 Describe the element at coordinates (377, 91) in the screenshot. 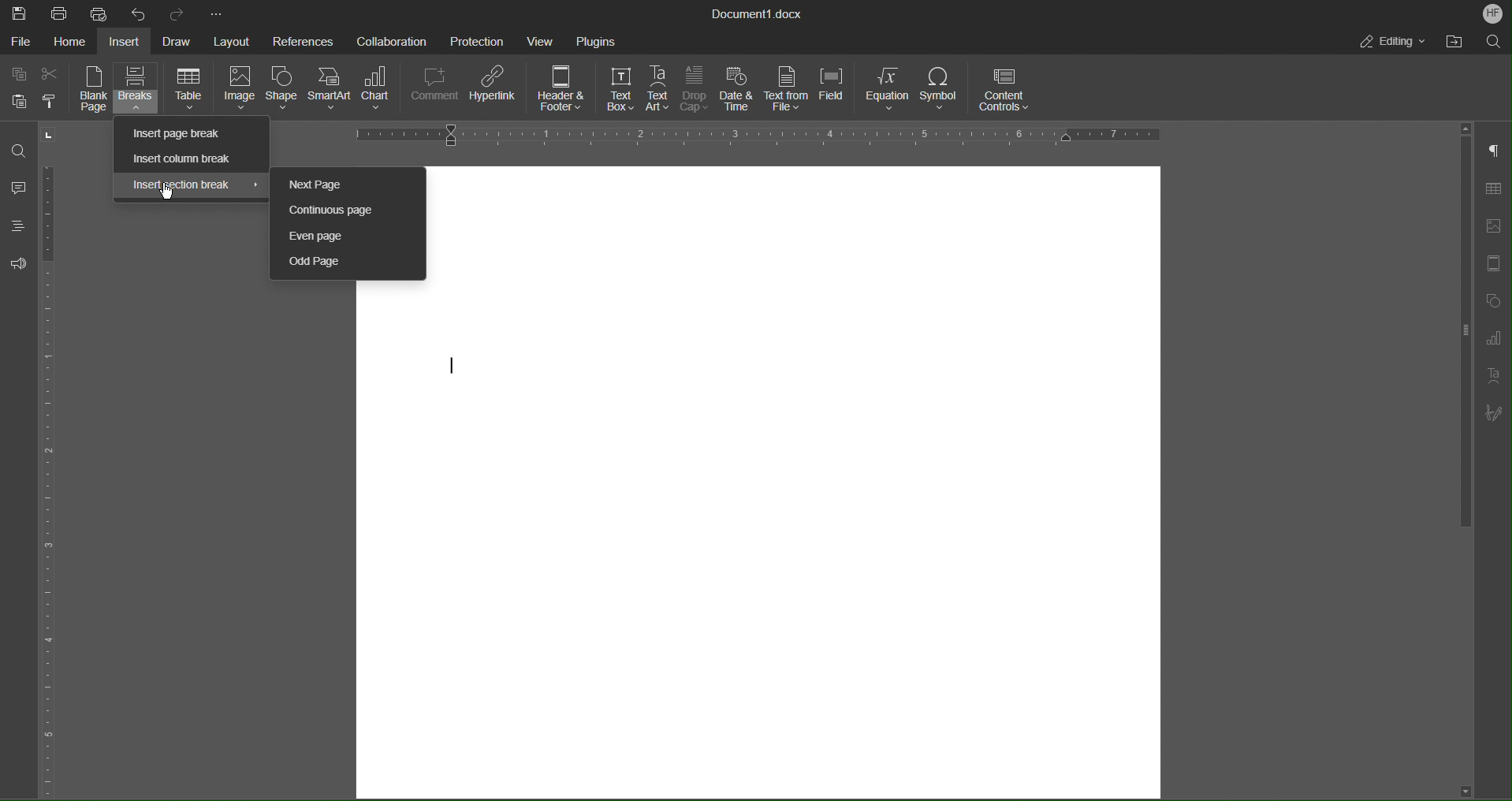

I see `Chart` at that location.